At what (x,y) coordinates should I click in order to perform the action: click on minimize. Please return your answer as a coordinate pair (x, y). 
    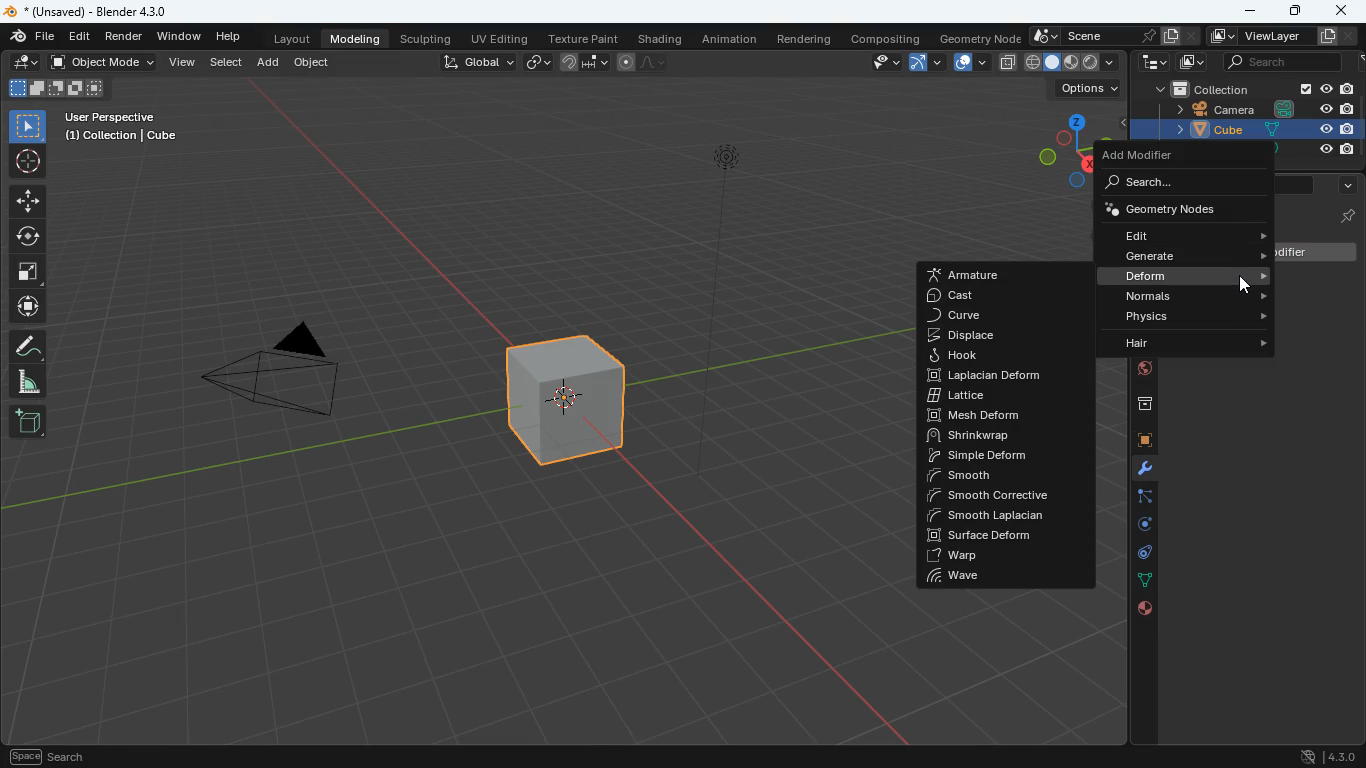
    Looking at the image, I should click on (1247, 12).